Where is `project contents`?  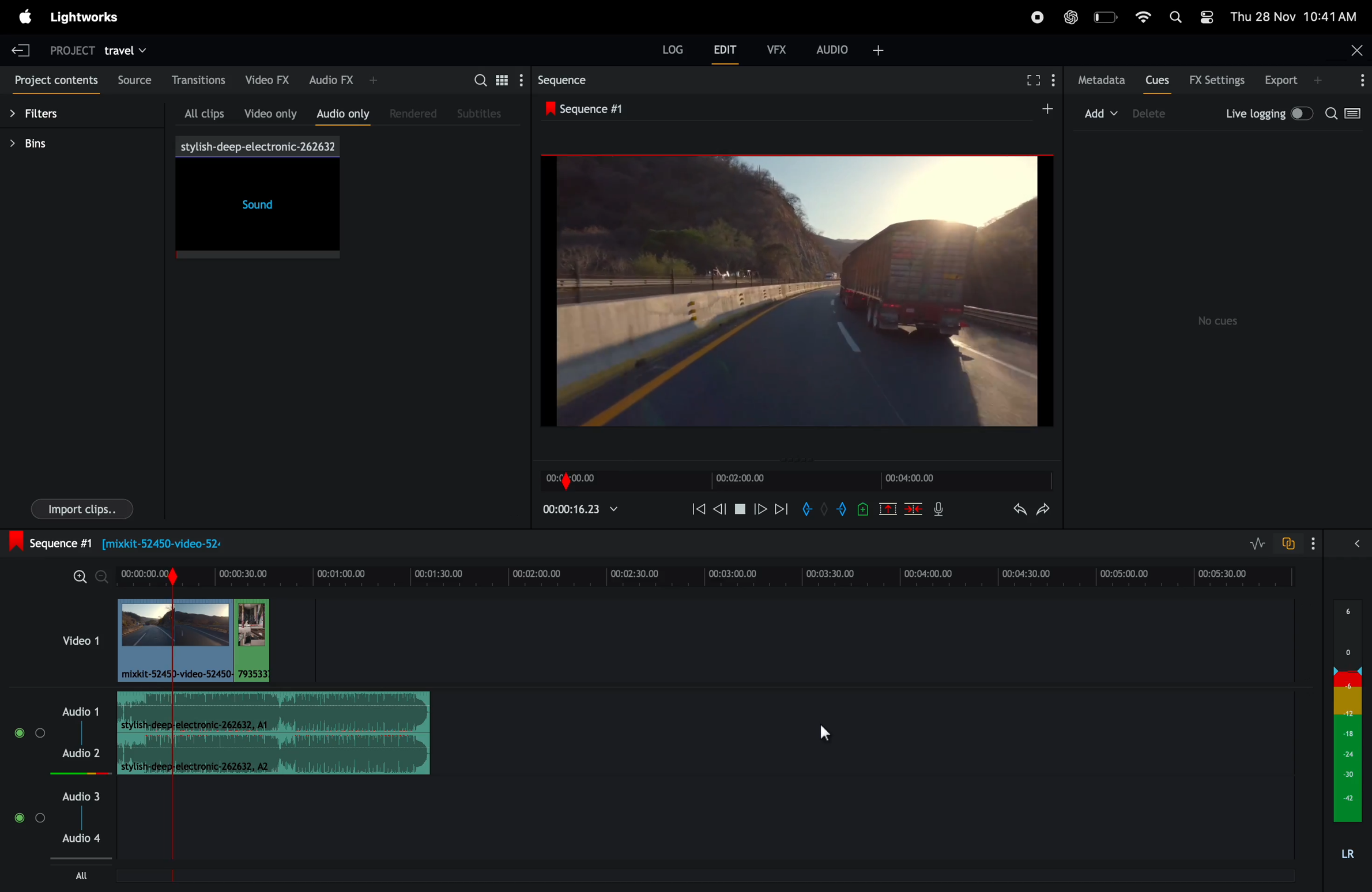 project contents is located at coordinates (54, 77).